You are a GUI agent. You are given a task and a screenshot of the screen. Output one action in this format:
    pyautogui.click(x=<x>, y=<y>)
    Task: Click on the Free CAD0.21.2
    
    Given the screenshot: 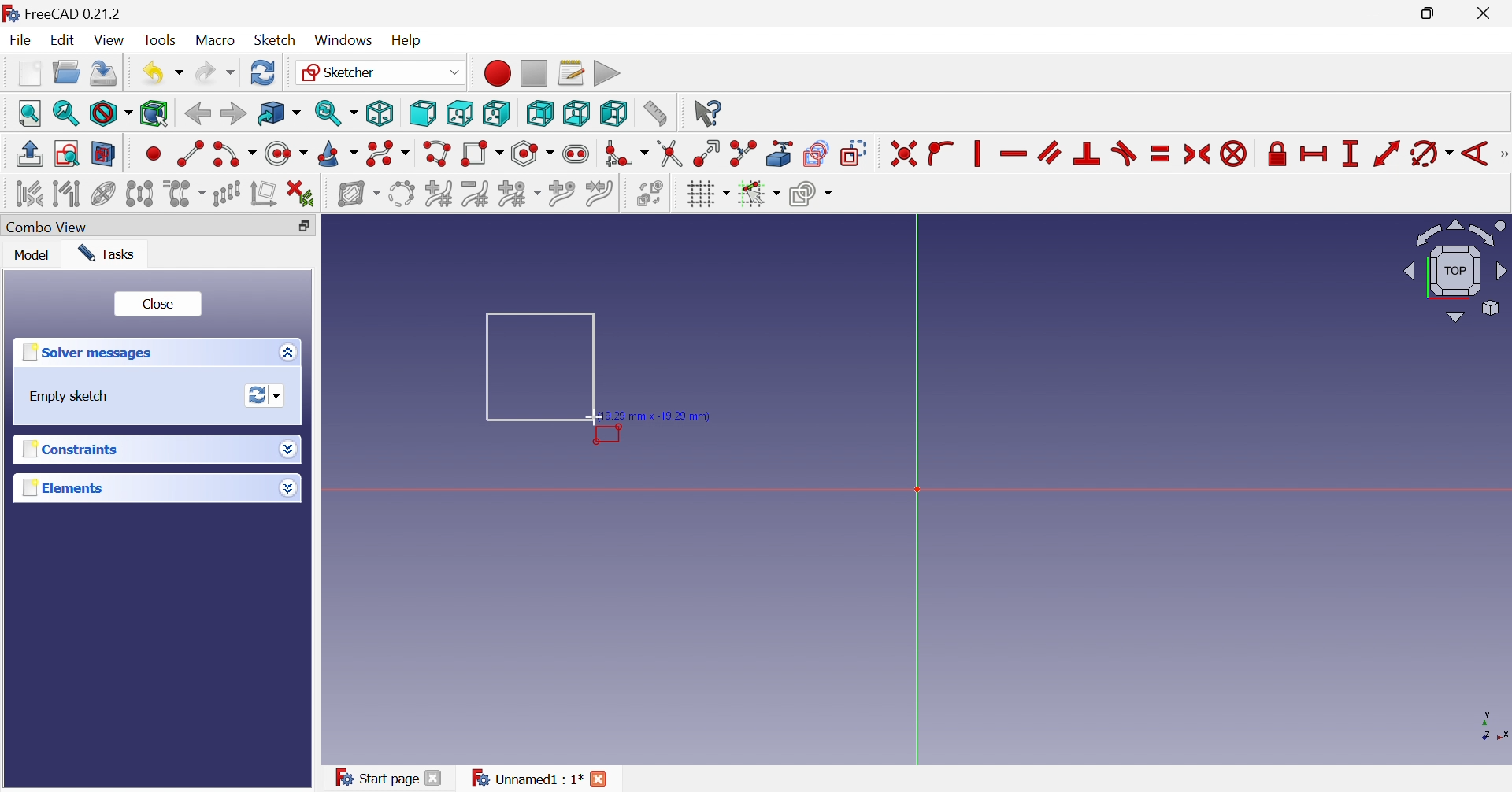 What is the action you would take?
    pyautogui.click(x=74, y=12)
    